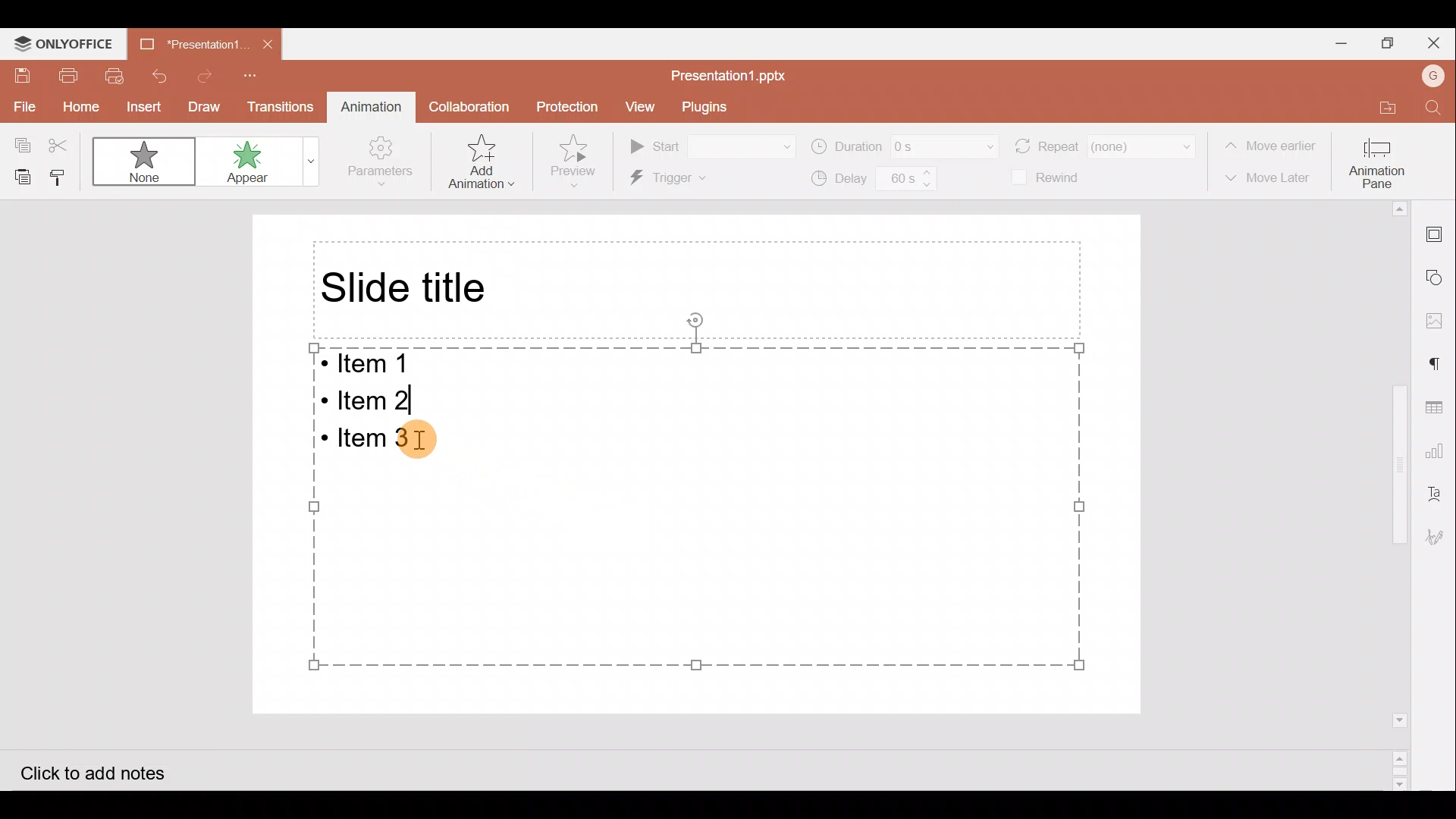  I want to click on Start, so click(713, 144).